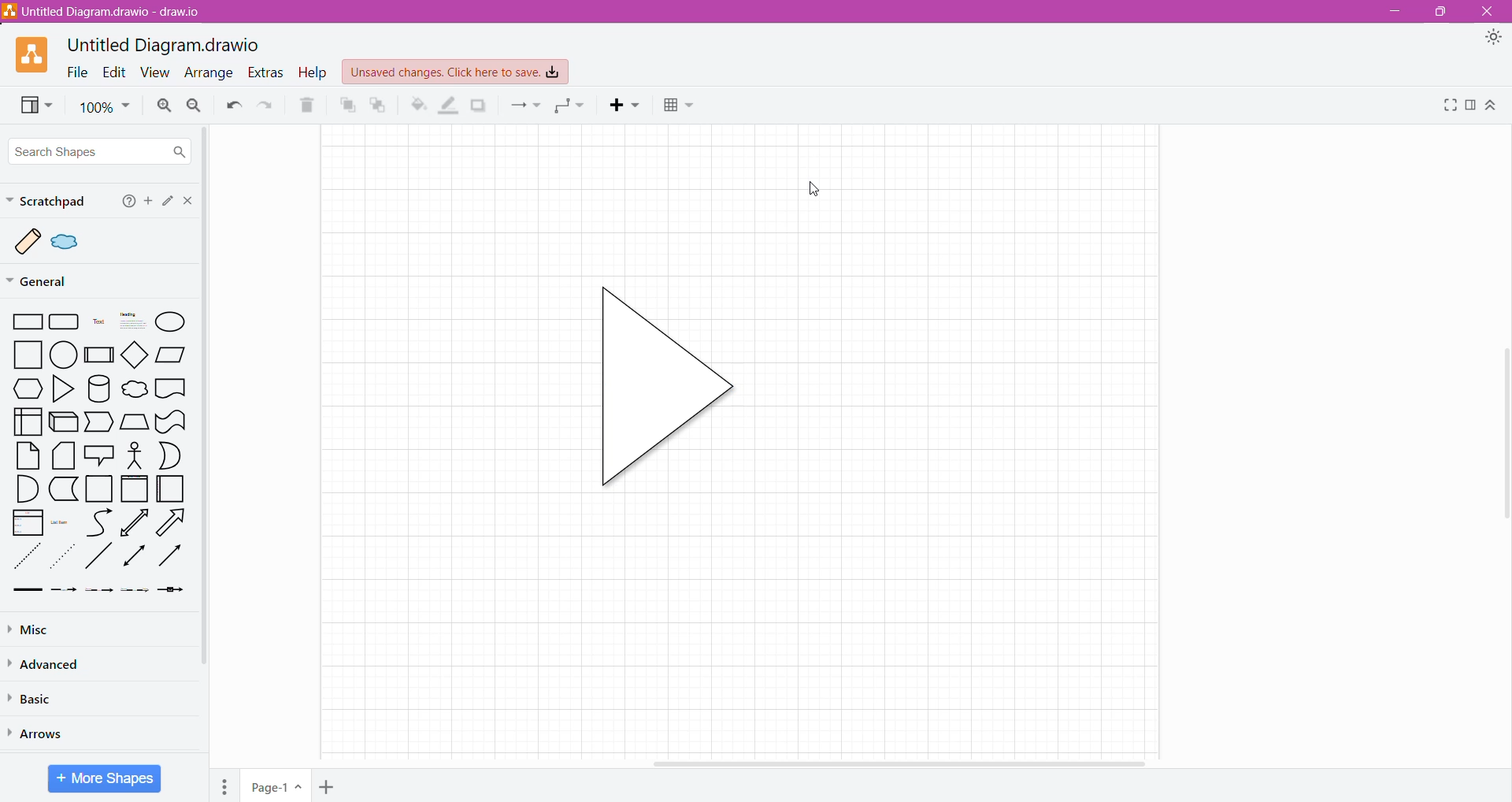  I want to click on General , so click(49, 282).